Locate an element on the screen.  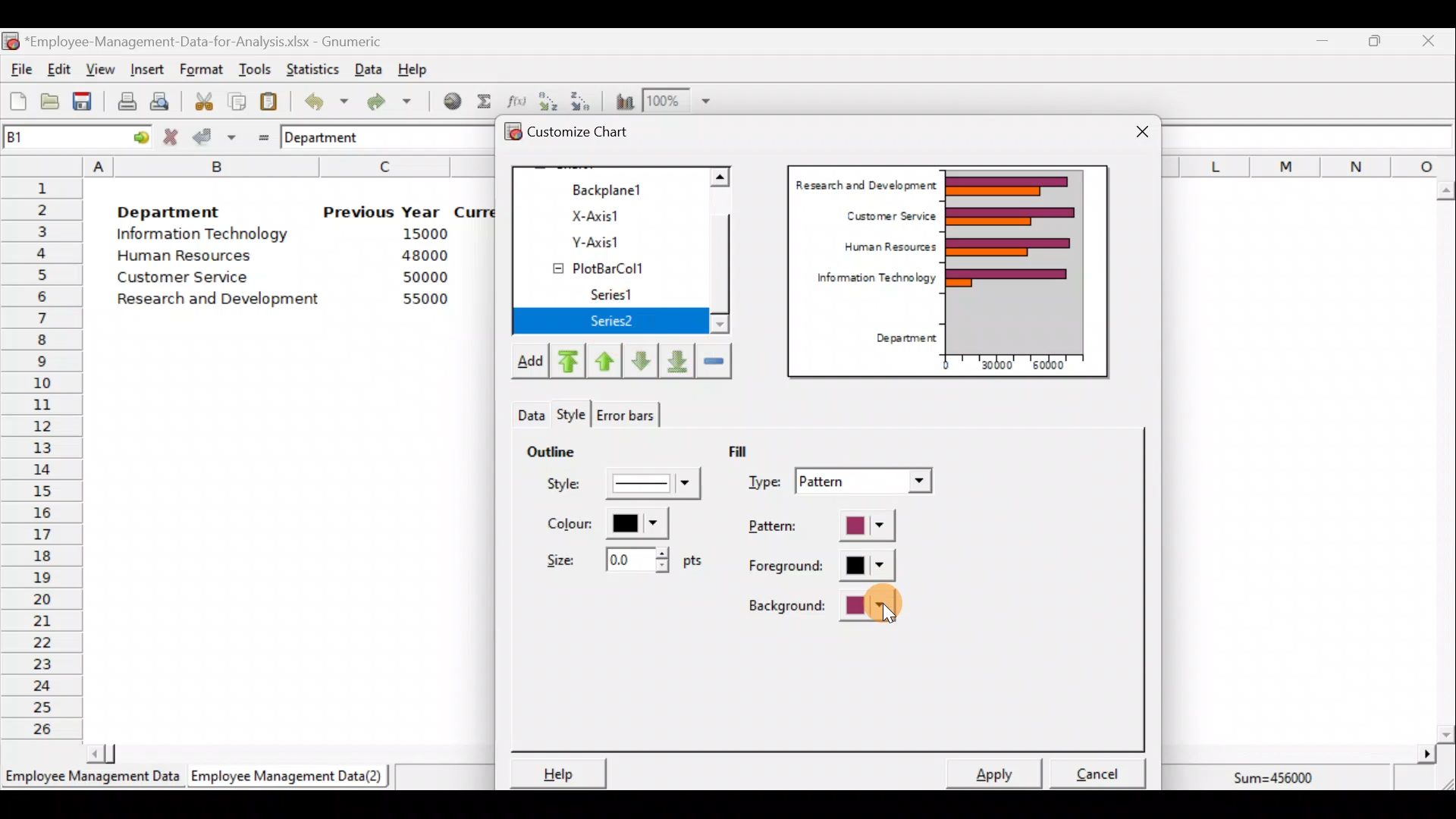
Move downward is located at coordinates (678, 359).